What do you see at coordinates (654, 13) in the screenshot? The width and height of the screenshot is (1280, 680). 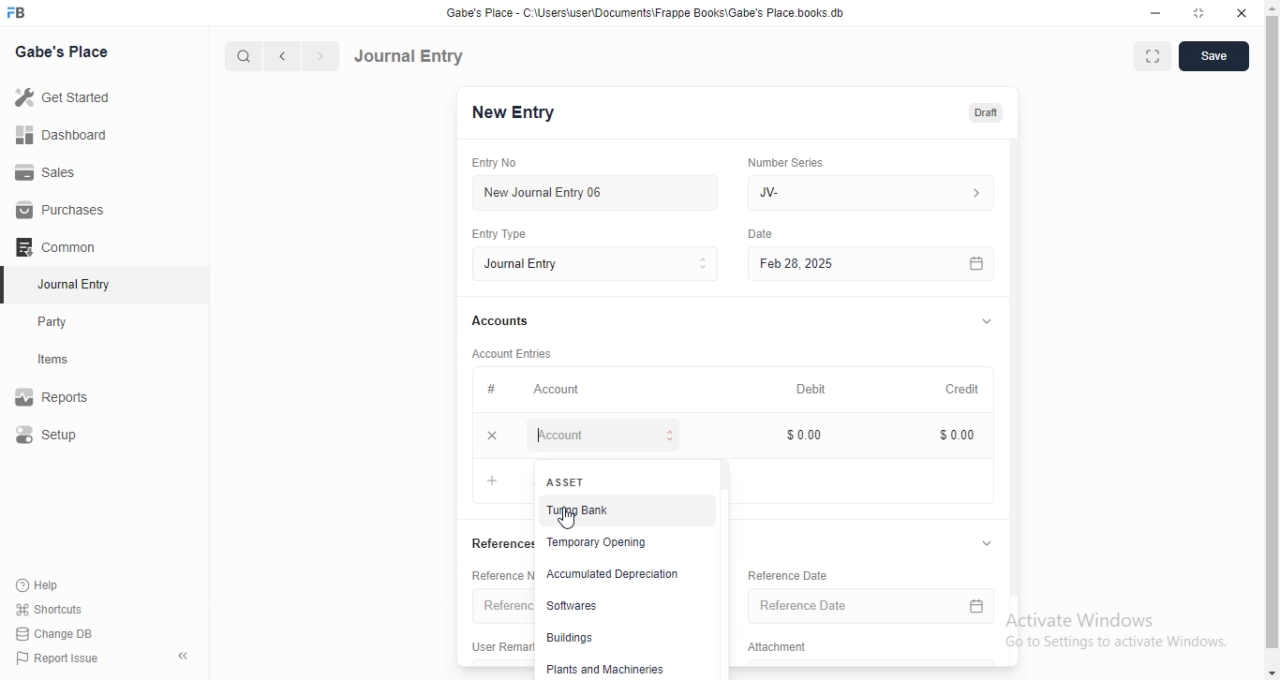 I see `Gabe's Place - C\Users\userDocuments Frappe Books\Gabe's Place books db.` at bounding box center [654, 13].